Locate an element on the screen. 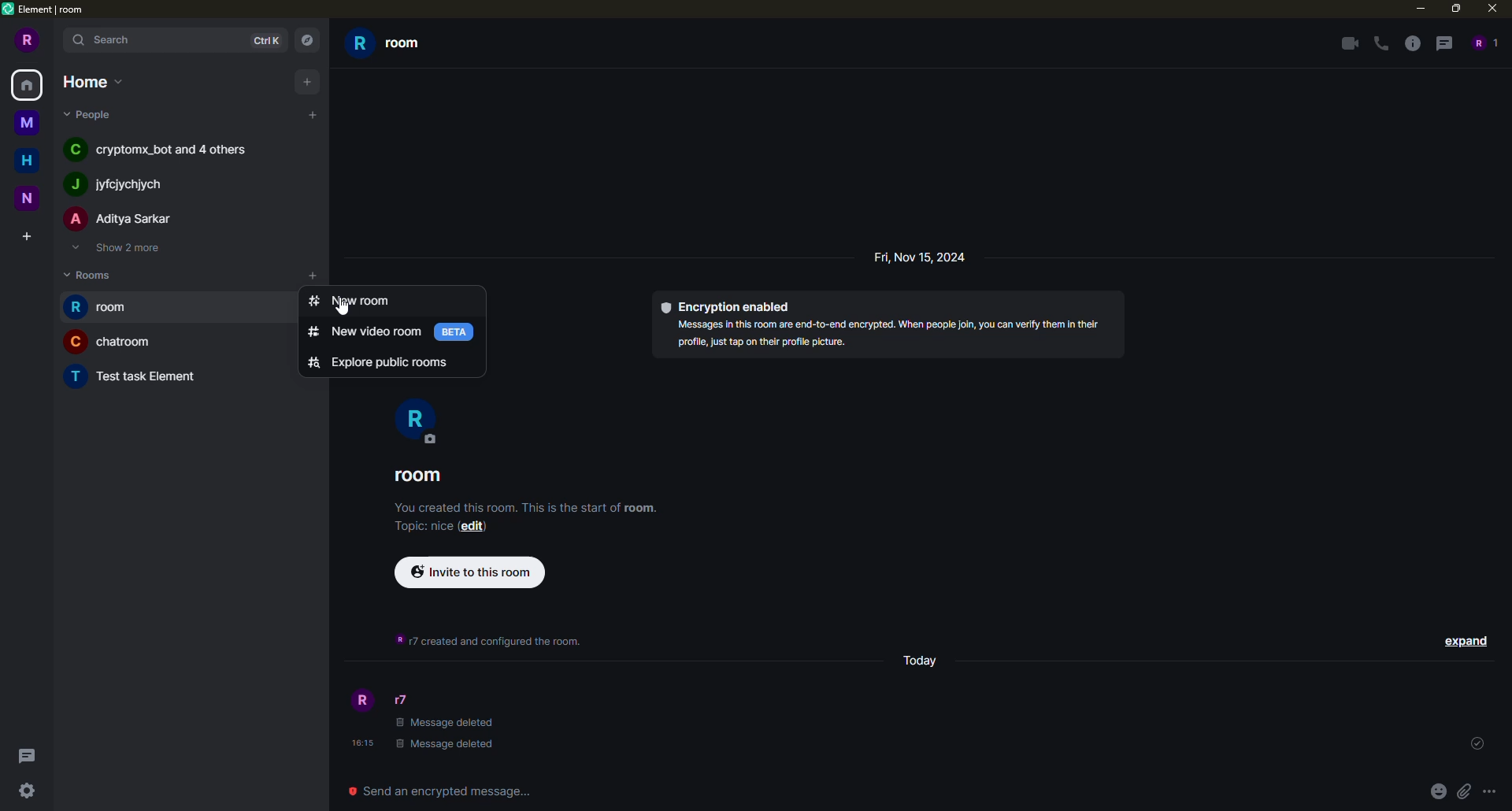  people is located at coordinates (1484, 41).